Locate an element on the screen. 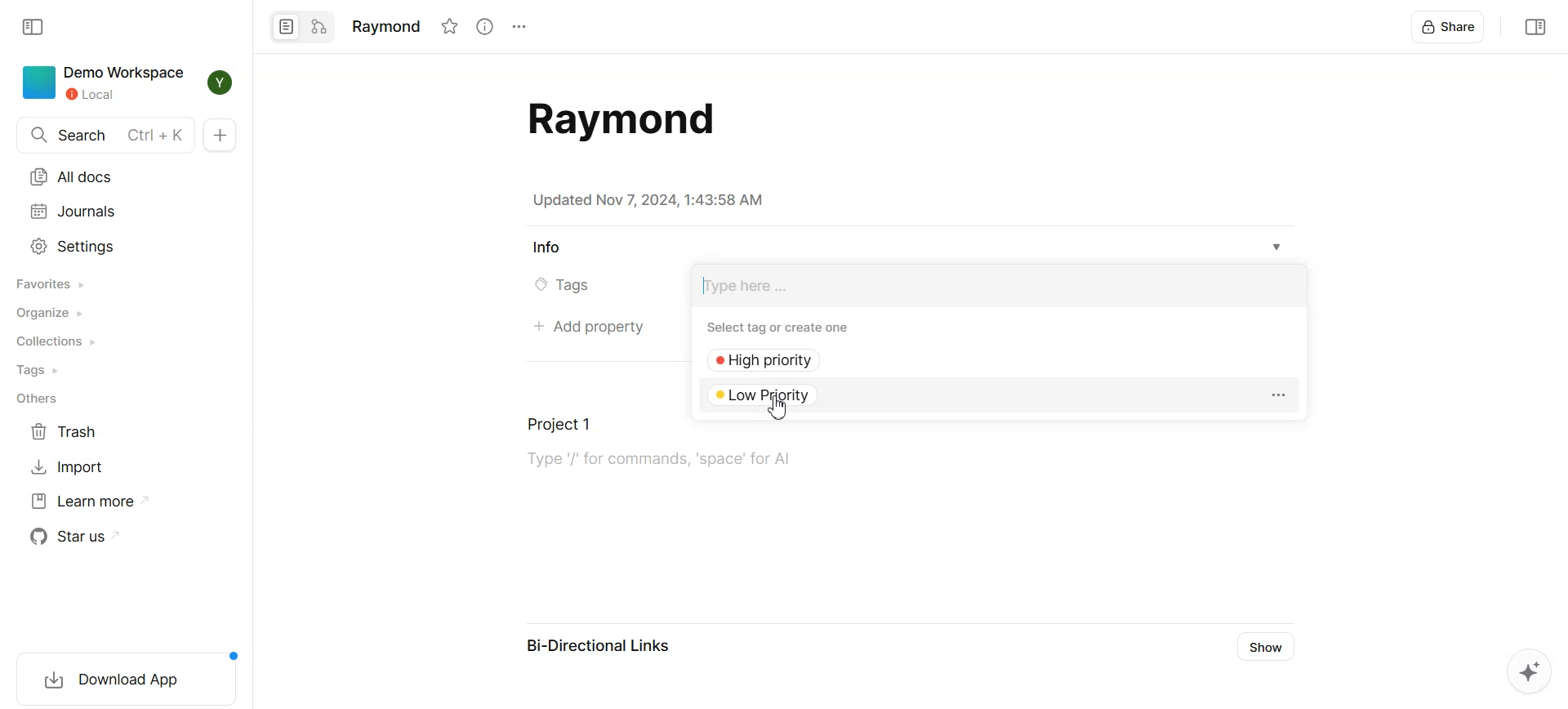  Download App is located at coordinates (121, 676).